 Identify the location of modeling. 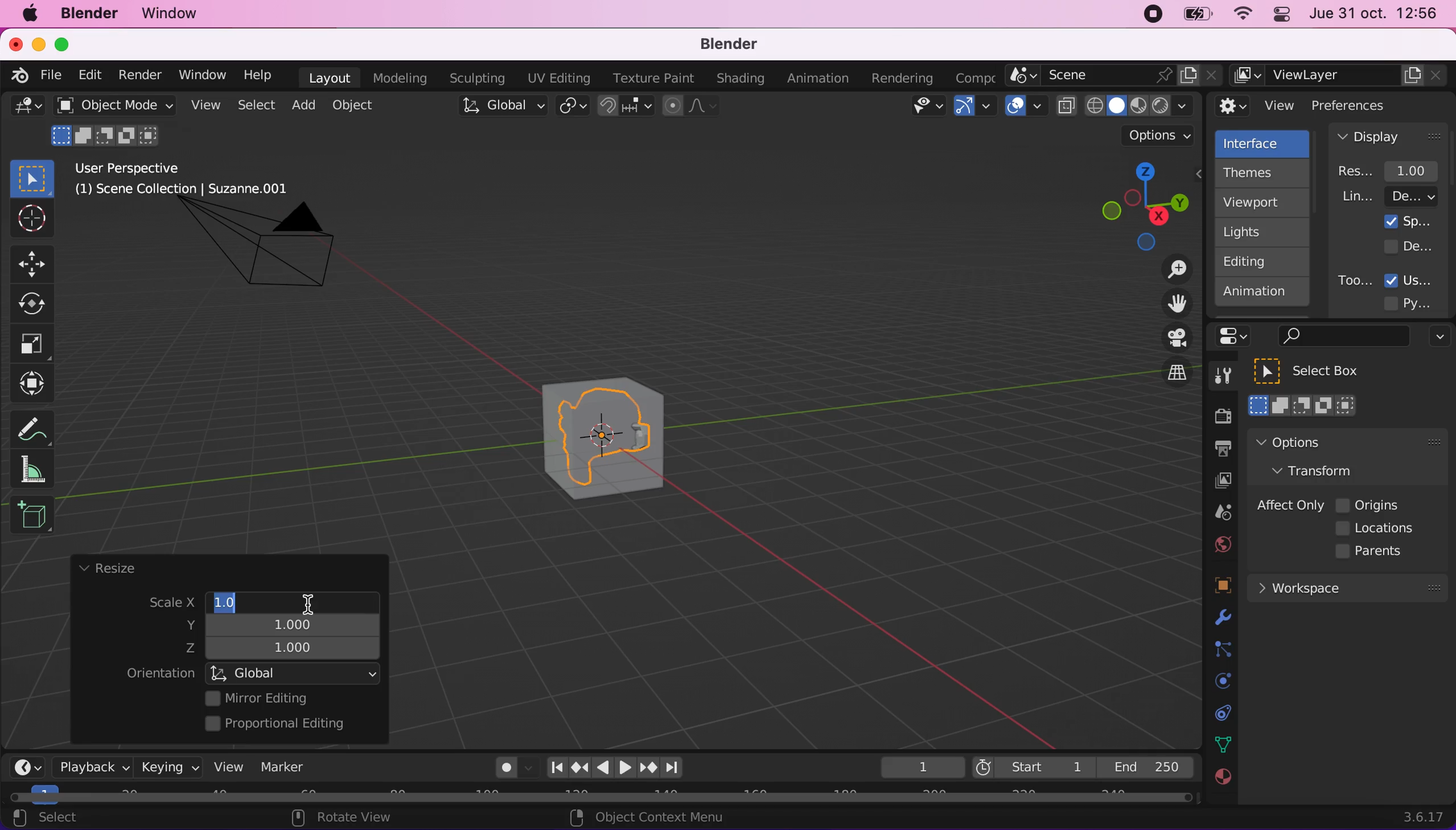
(398, 79).